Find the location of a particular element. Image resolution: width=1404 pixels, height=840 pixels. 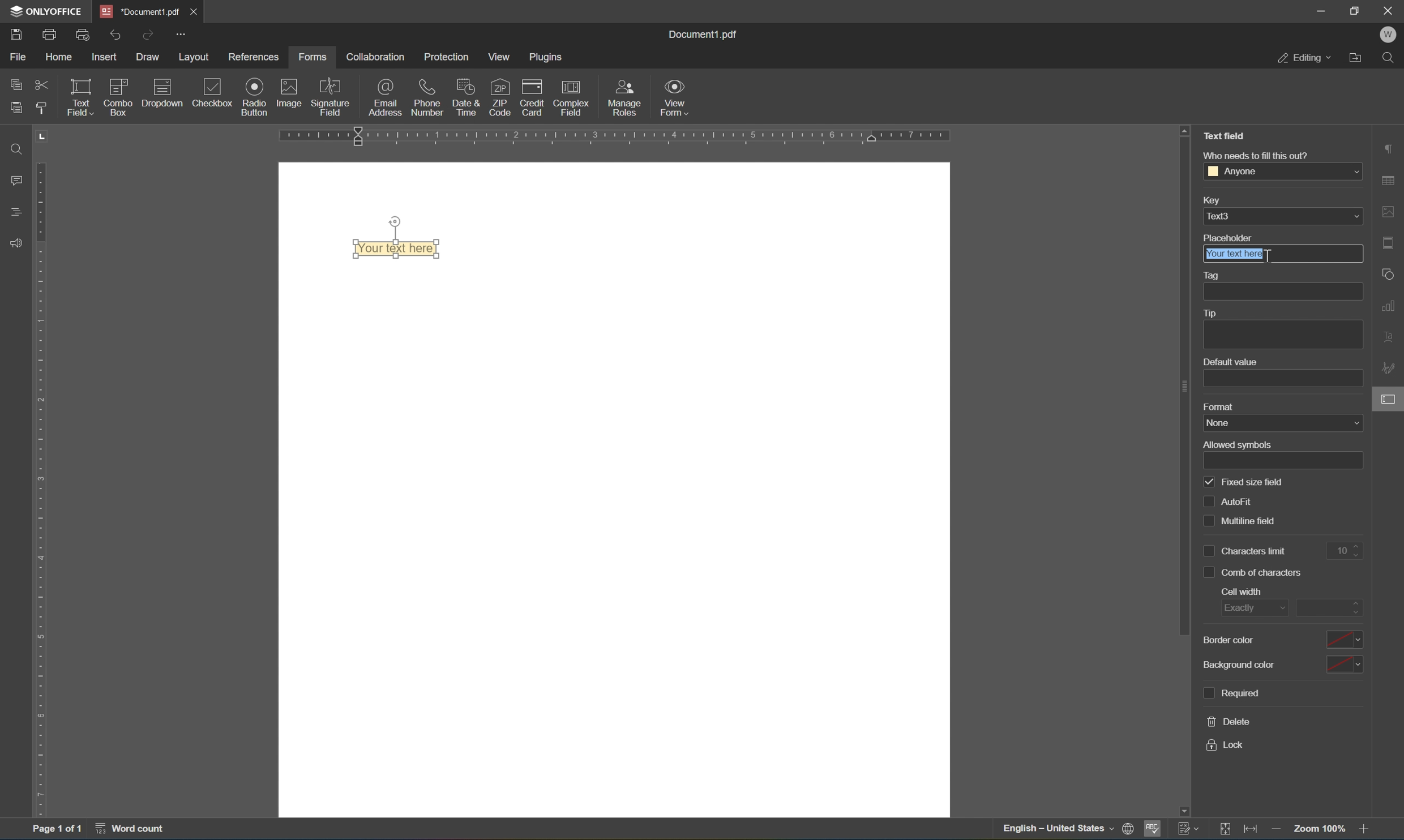

protection is located at coordinates (450, 57).